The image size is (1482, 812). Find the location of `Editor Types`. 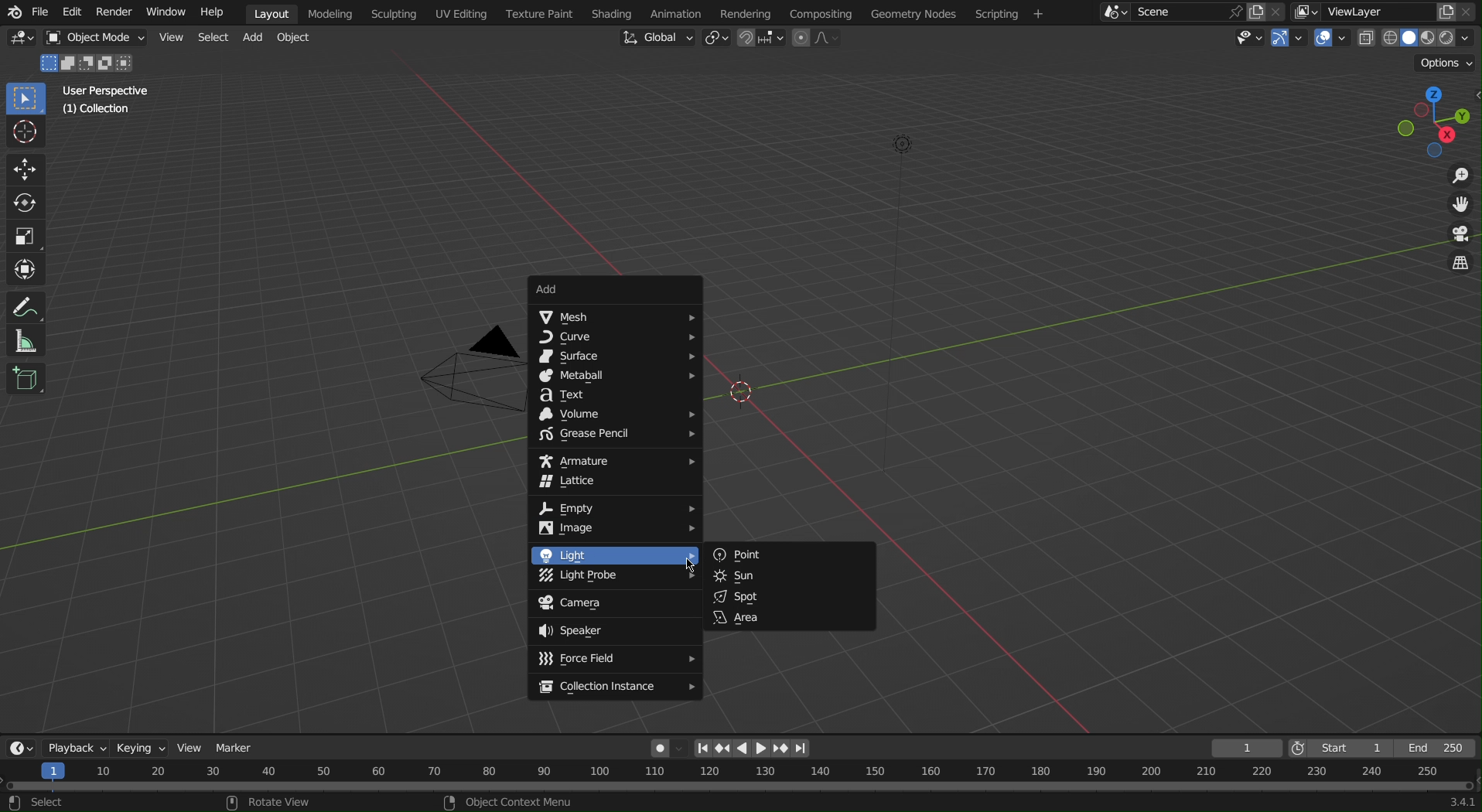

Editor Types is located at coordinates (19, 745).